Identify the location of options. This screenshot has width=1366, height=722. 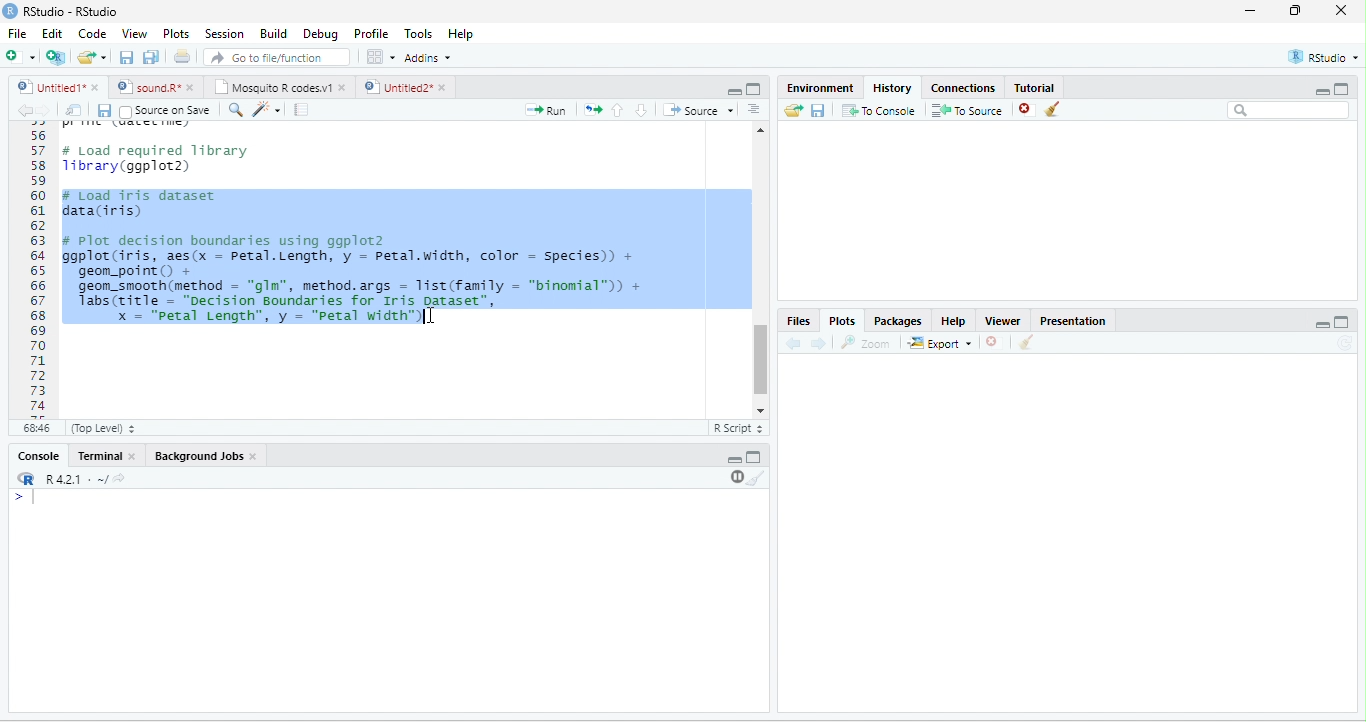
(754, 109).